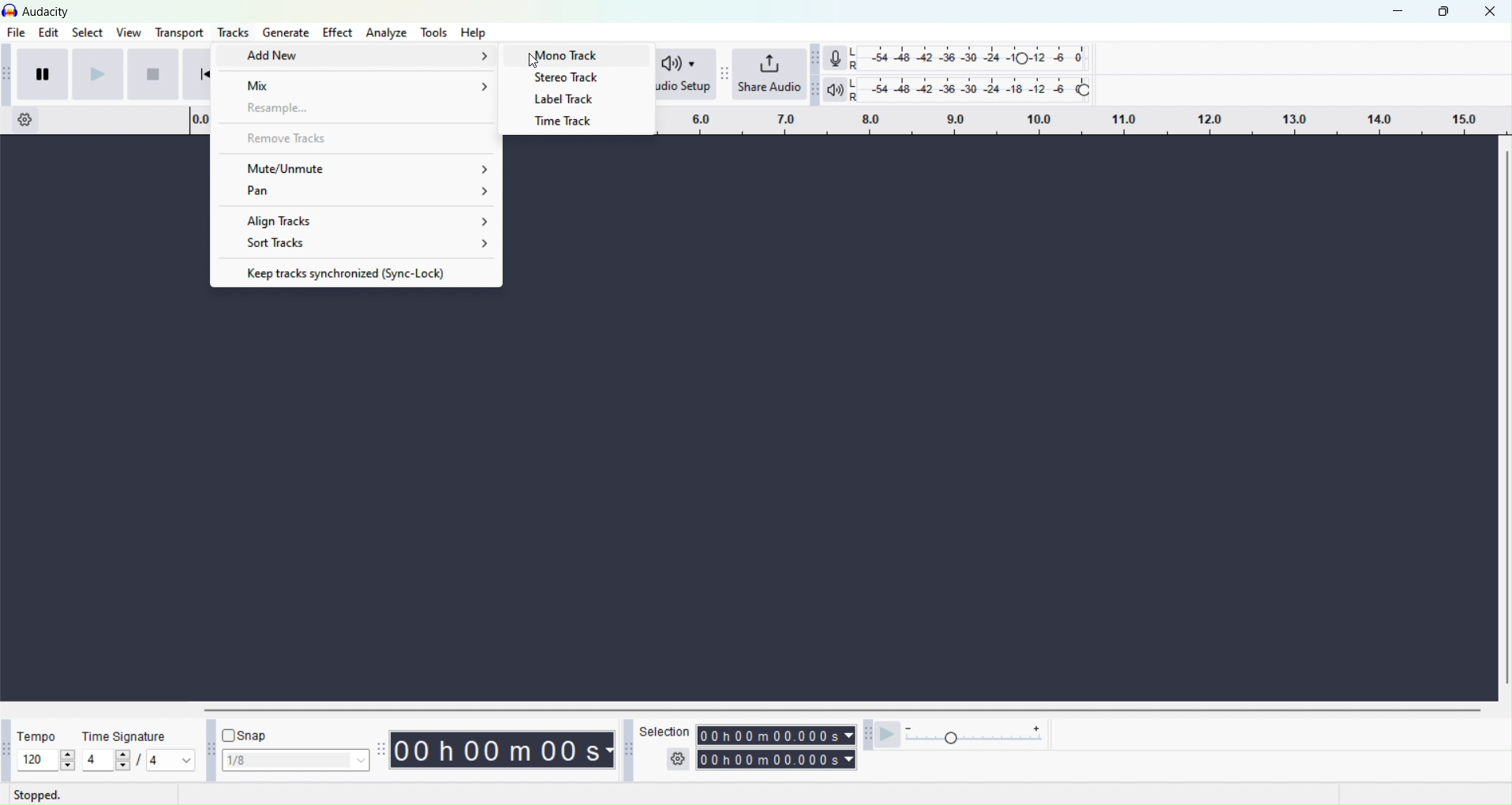  What do you see at coordinates (123, 736) in the screenshot?
I see `Time signature` at bounding box center [123, 736].